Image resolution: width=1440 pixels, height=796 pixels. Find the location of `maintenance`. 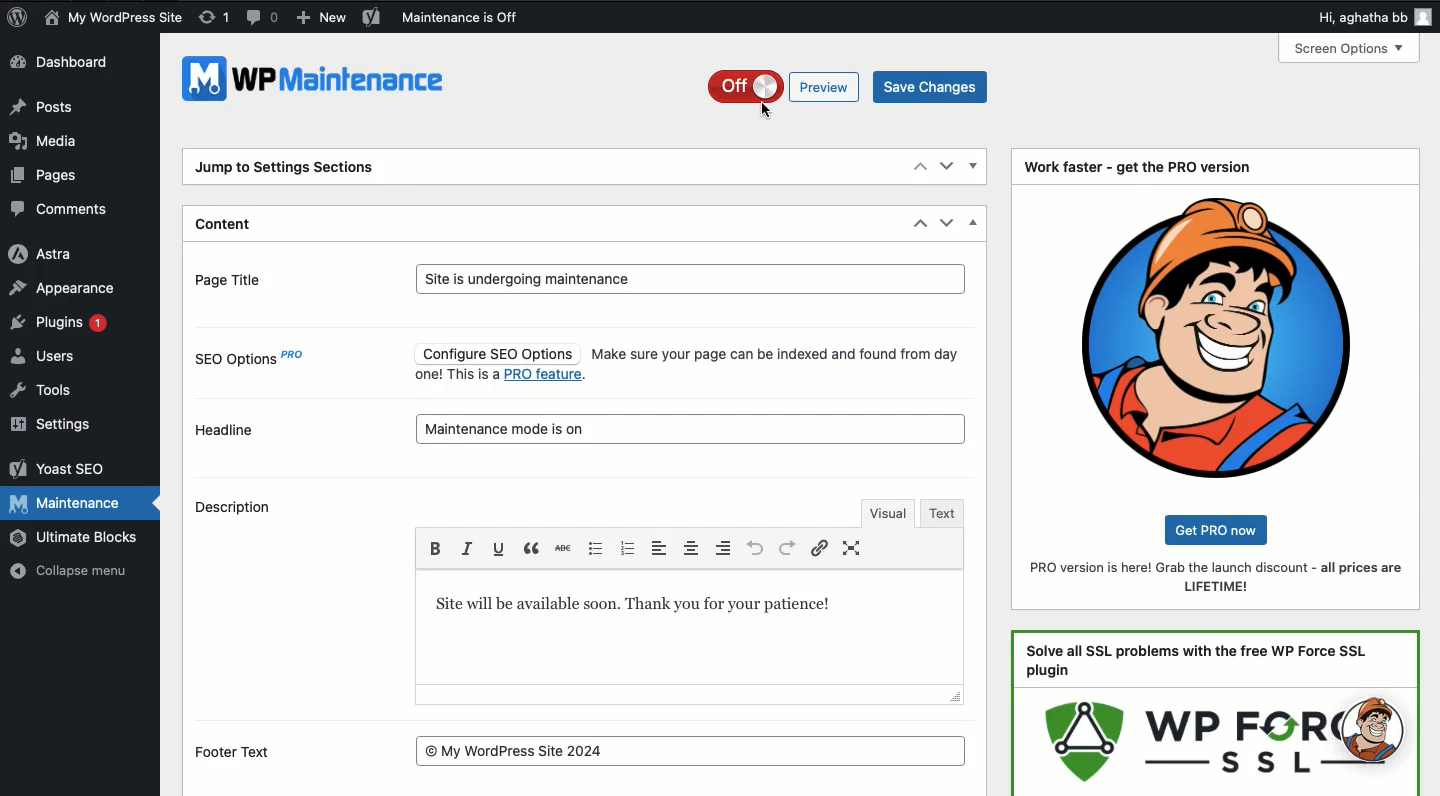

maintenance is located at coordinates (693, 427).